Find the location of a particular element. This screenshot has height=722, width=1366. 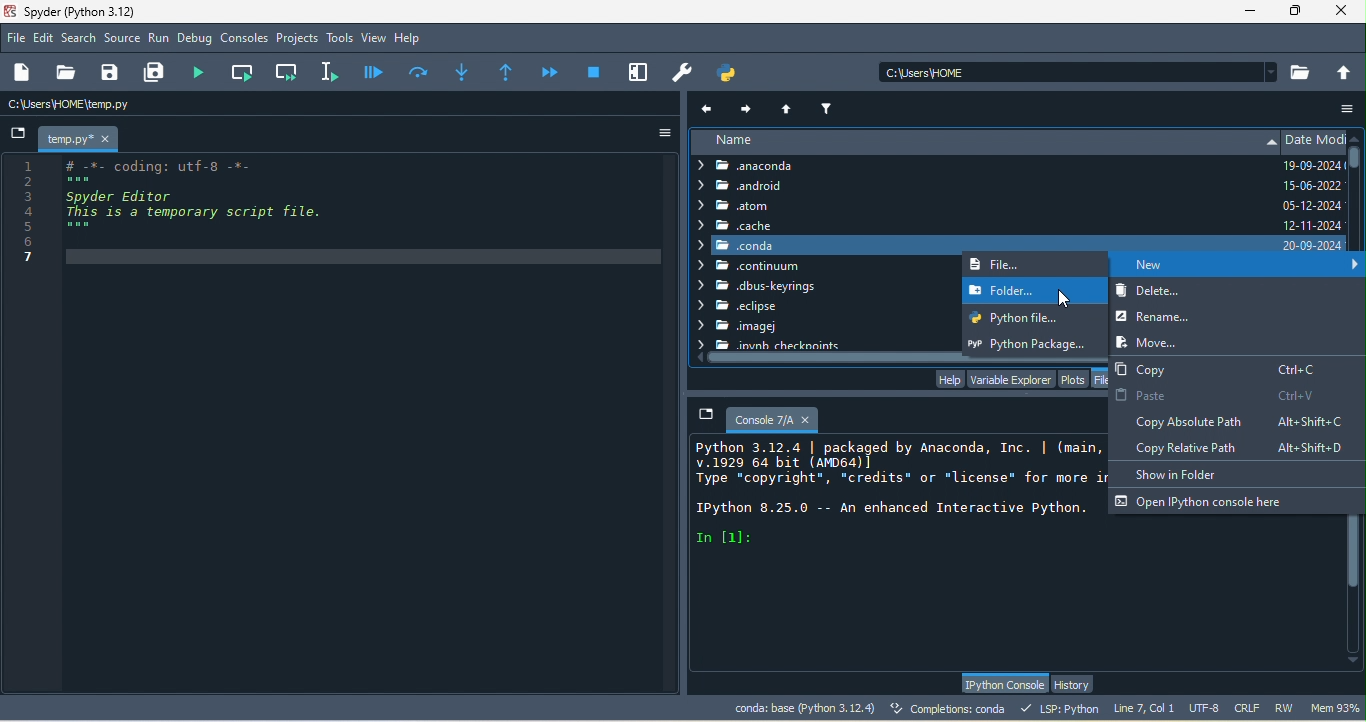

options is located at coordinates (657, 133).